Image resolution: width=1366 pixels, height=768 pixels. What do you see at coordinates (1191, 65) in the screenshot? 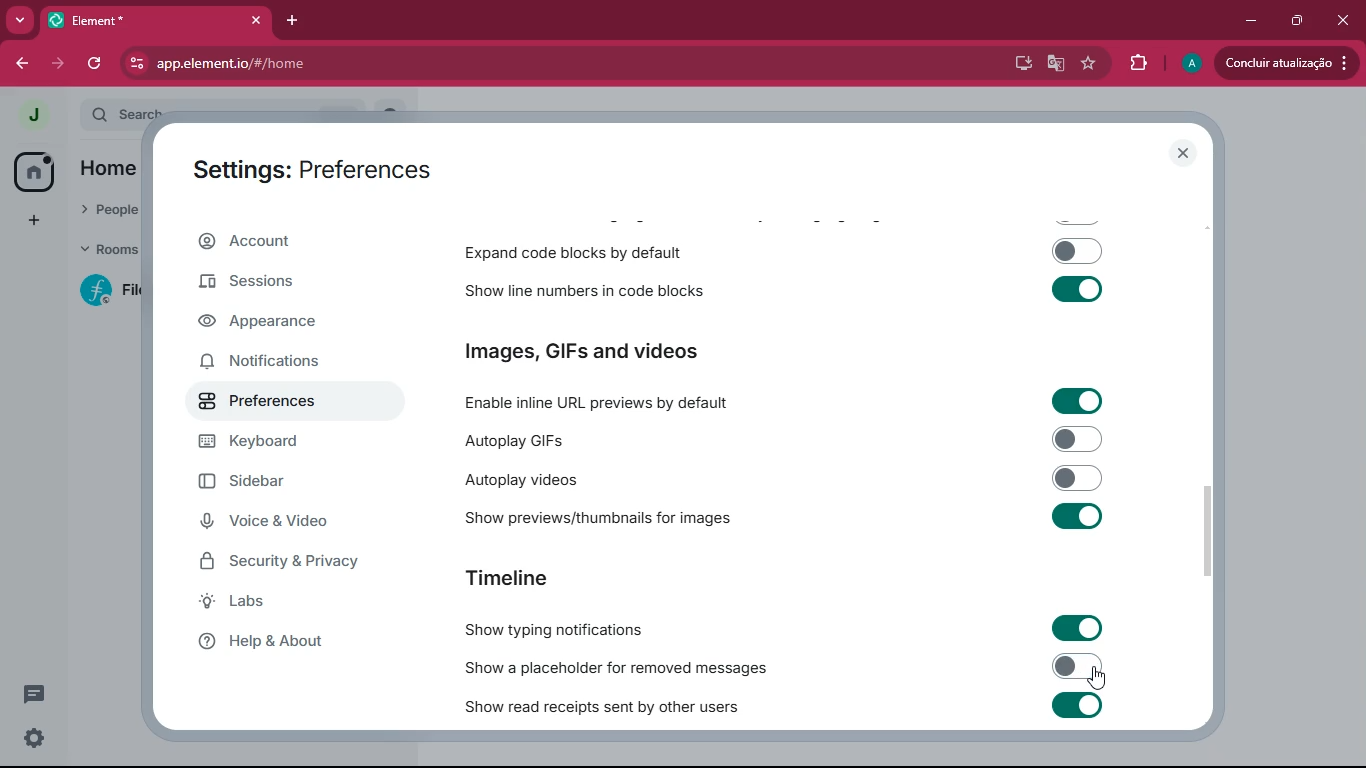
I see `profile picture` at bounding box center [1191, 65].